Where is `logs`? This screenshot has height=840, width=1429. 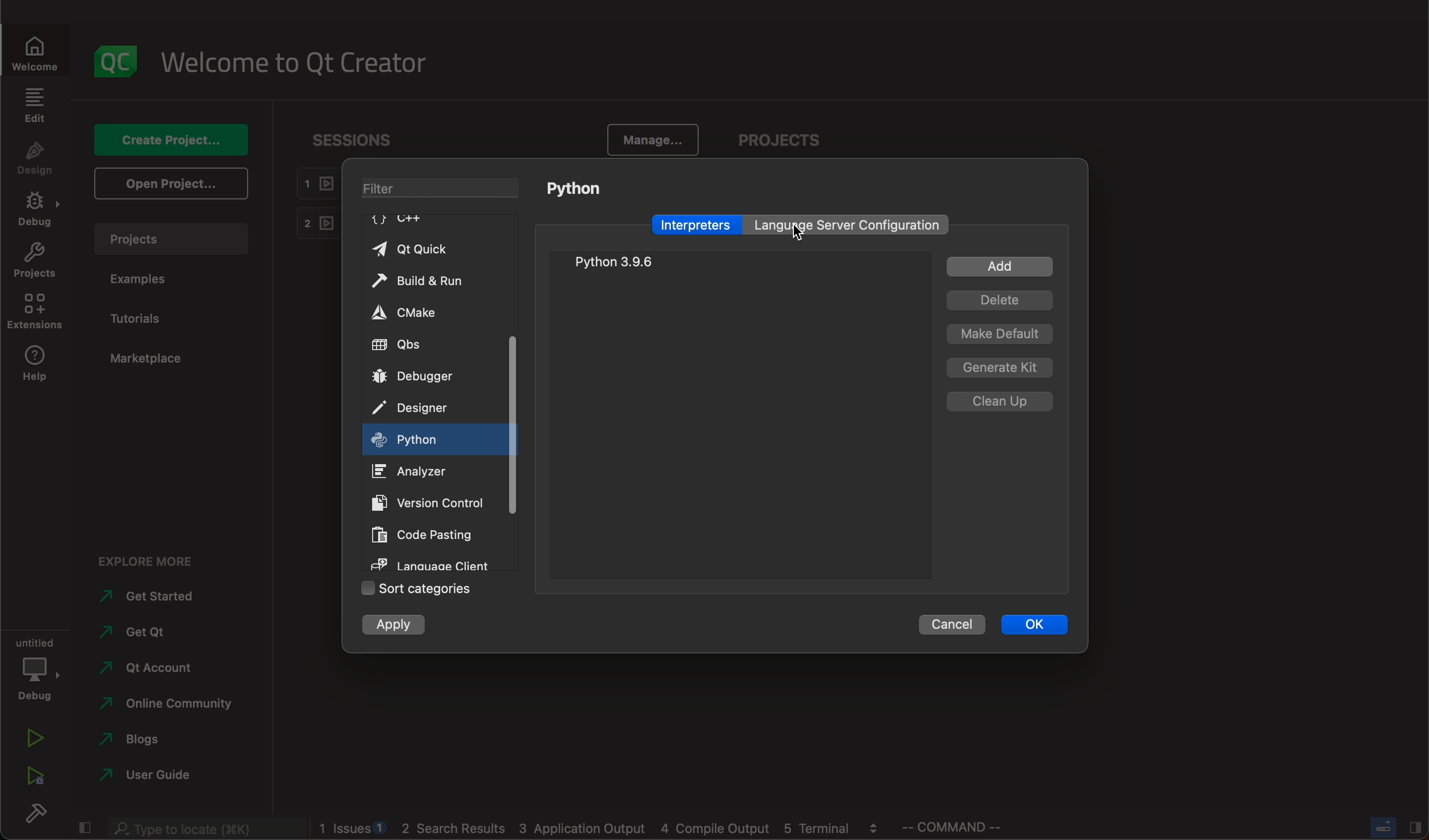 logs is located at coordinates (599, 828).